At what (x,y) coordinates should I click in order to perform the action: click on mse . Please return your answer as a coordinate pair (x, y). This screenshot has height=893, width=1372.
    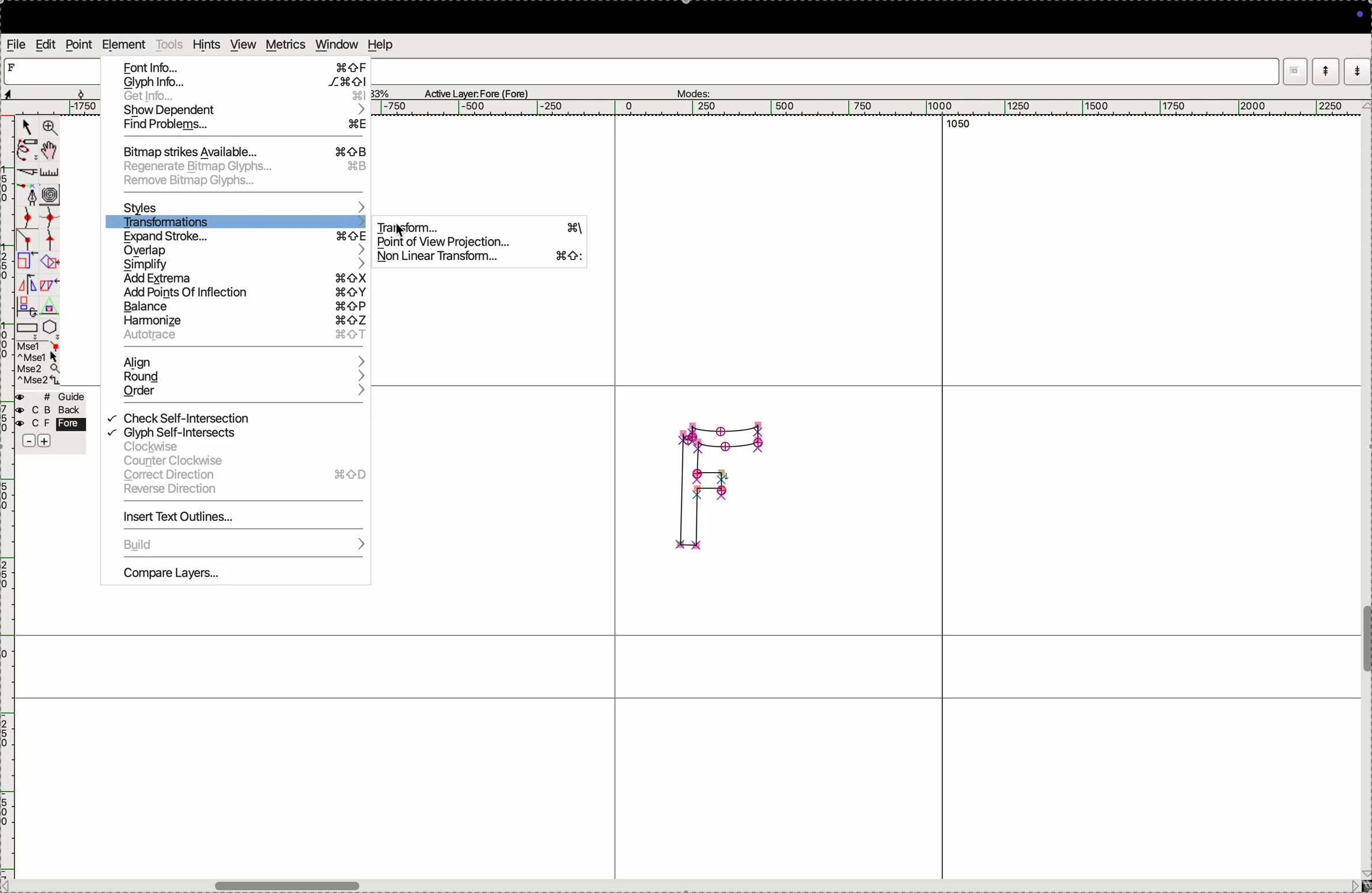
    Looking at the image, I should click on (39, 363).